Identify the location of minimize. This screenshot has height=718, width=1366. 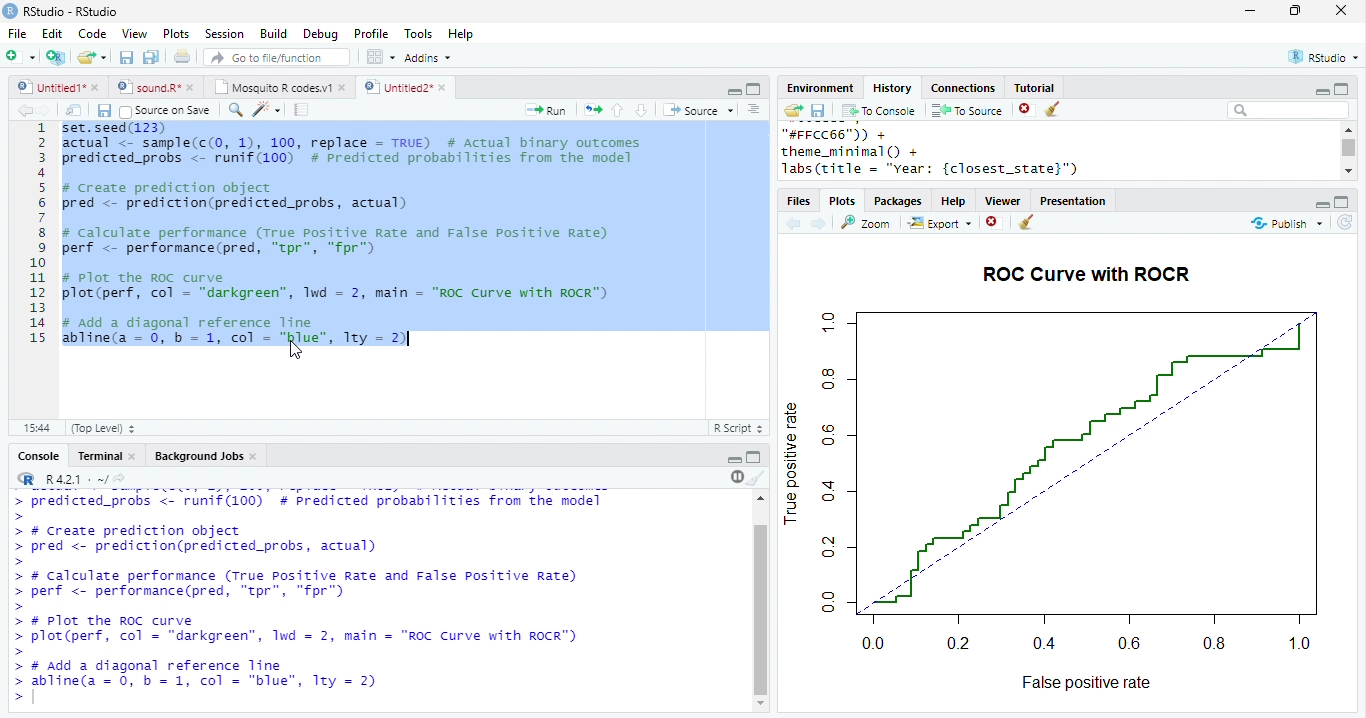
(1321, 205).